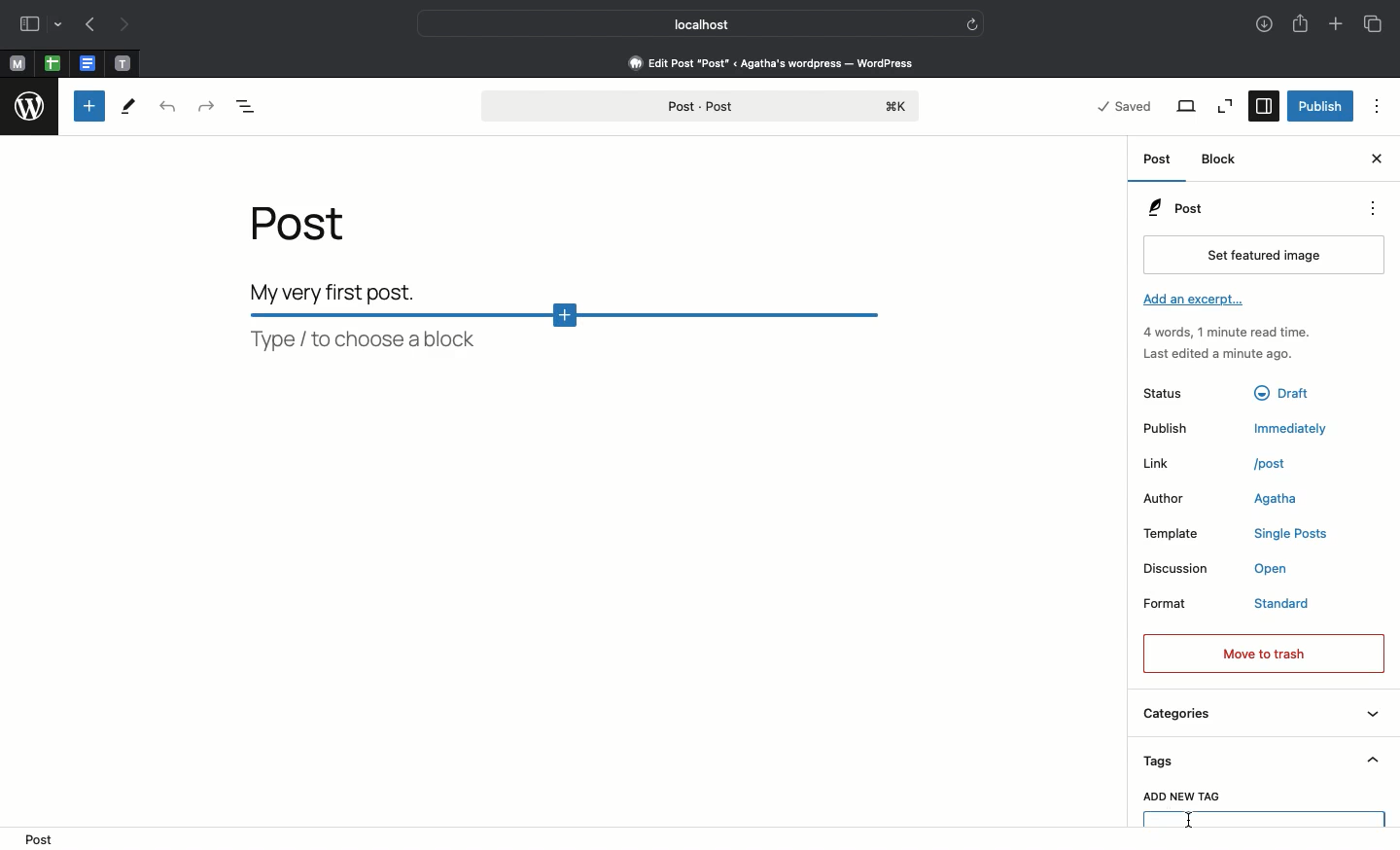 The image size is (1400, 850). I want to click on Post, so click(1244, 209).